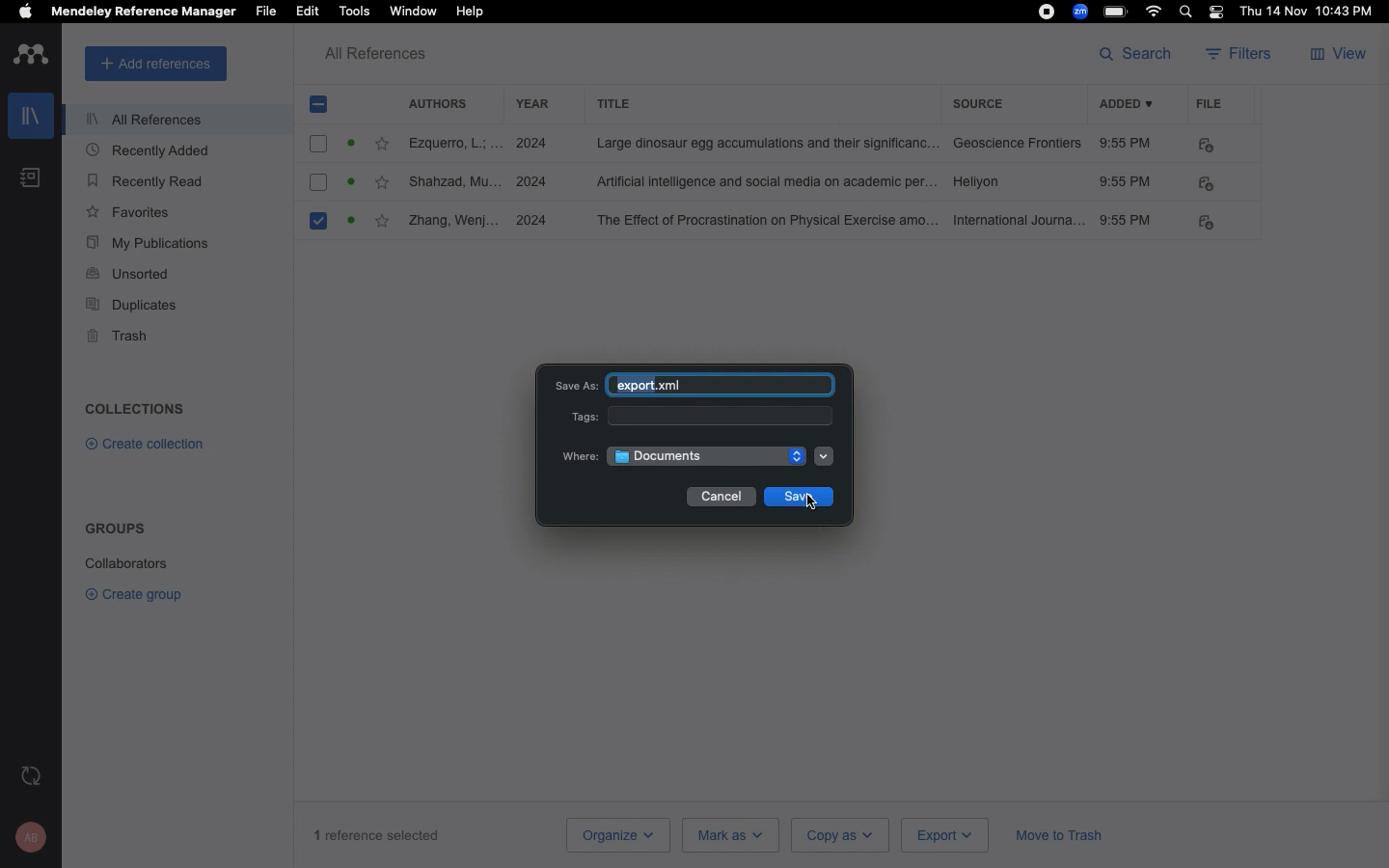 This screenshot has height=868, width=1389. Describe the element at coordinates (29, 177) in the screenshot. I see `Notebook` at that location.